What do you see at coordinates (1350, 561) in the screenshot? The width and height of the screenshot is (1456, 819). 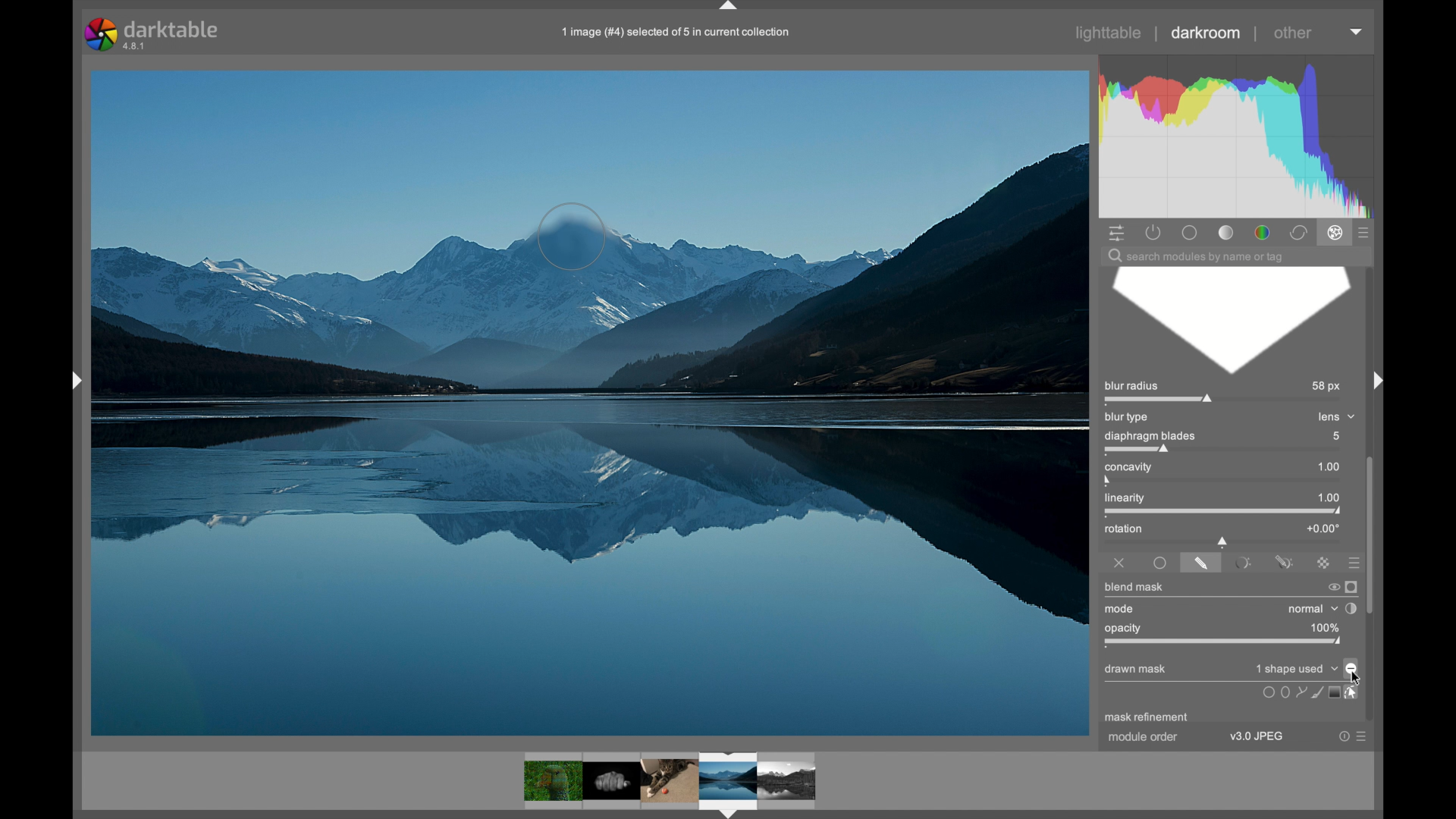 I see `presets` at bounding box center [1350, 561].